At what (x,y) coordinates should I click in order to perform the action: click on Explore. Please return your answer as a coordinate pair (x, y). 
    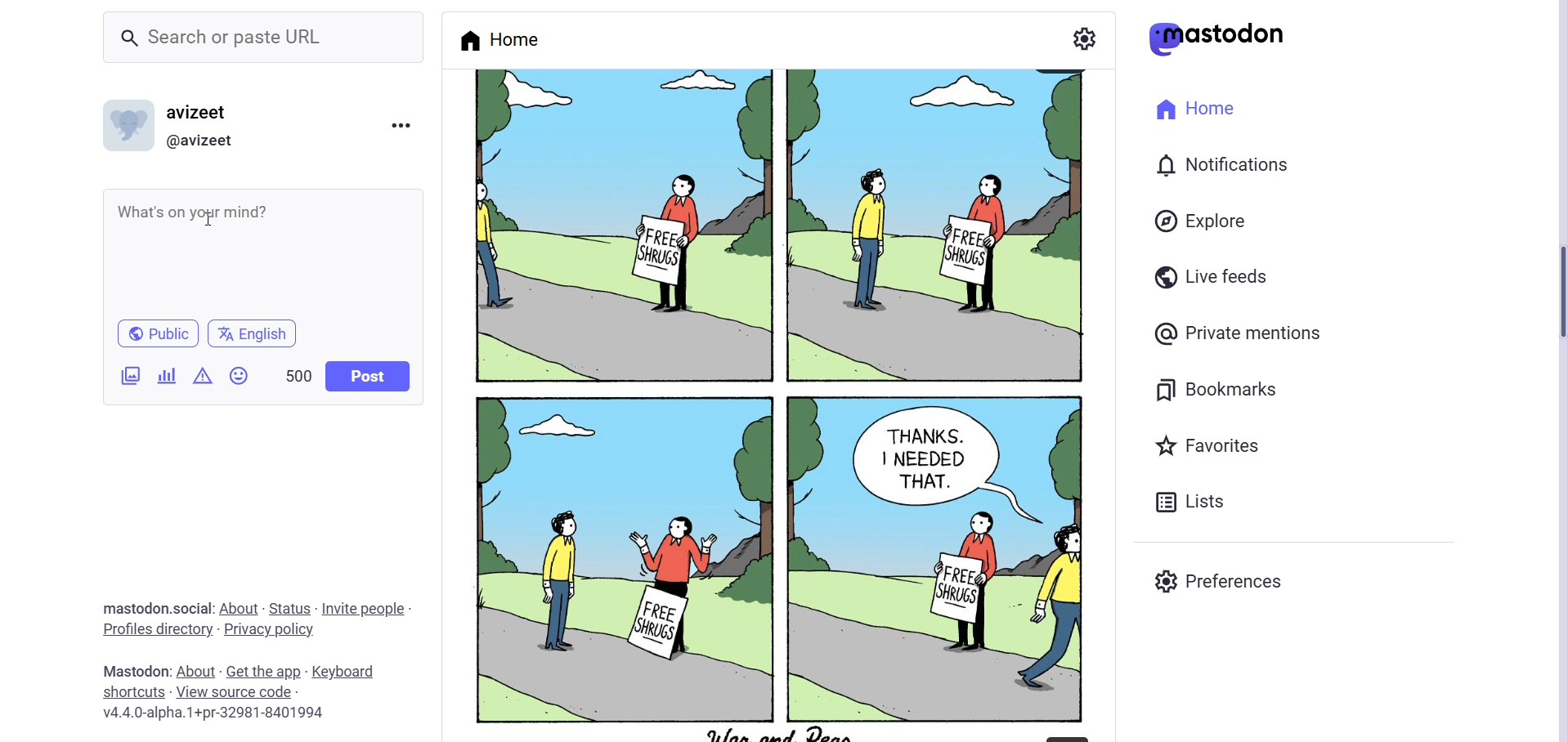
    Looking at the image, I should click on (1203, 223).